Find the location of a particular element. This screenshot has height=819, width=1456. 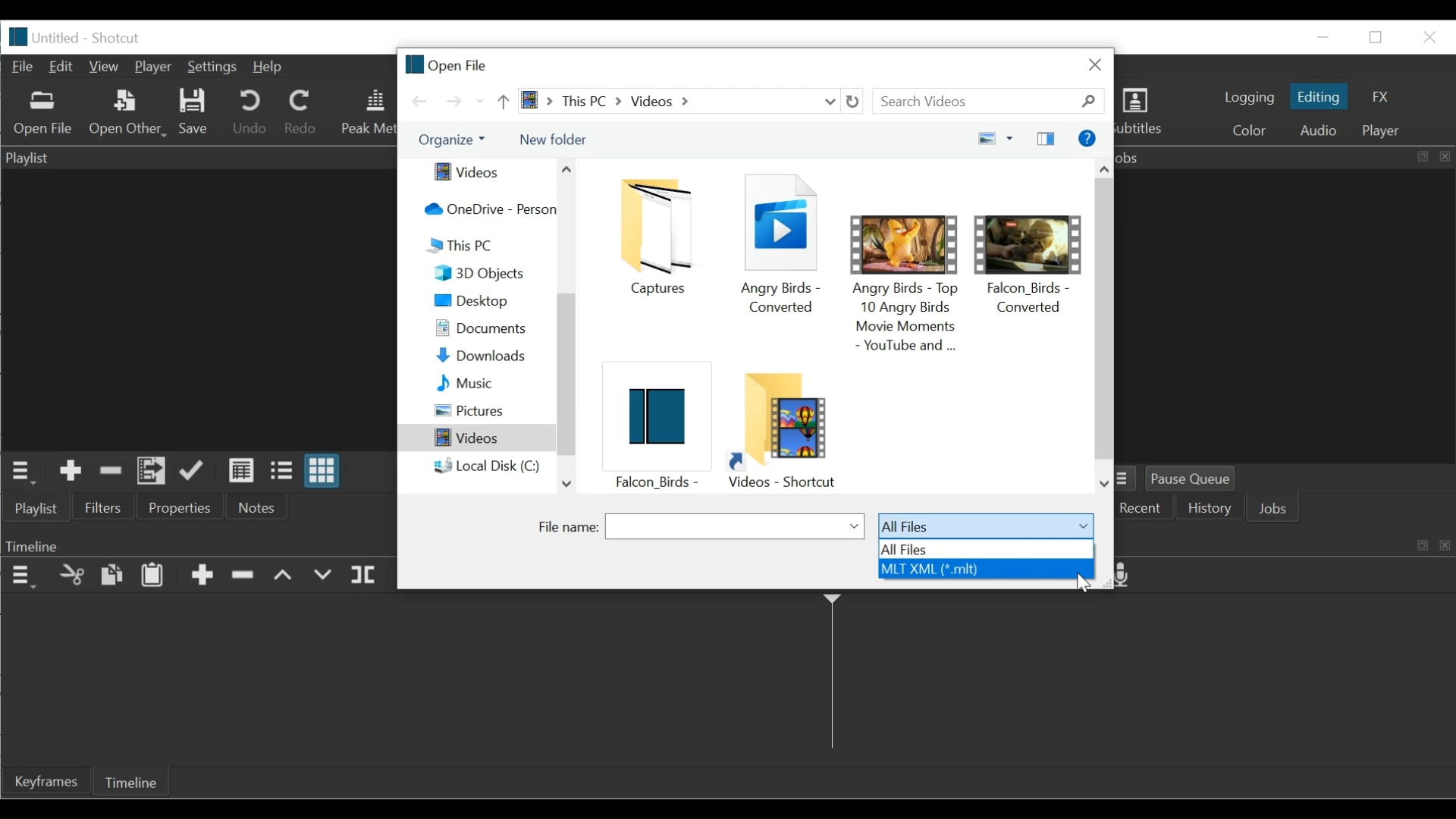

Angry birds - converted is located at coordinates (778, 249).